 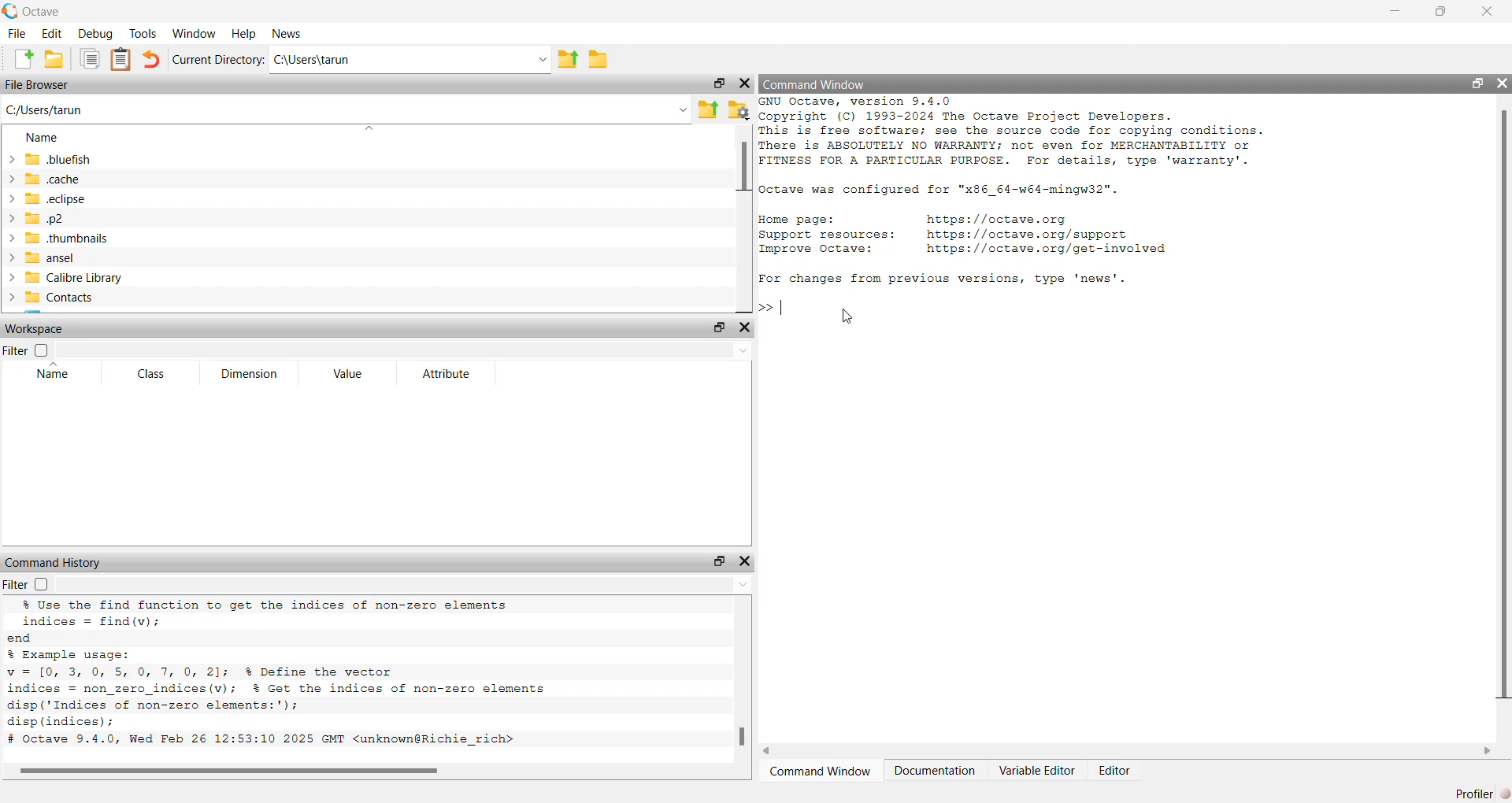 What do you see at coordinates (155, 375) in the screenshot?
I see `Class` at bounding box center [155, 375].